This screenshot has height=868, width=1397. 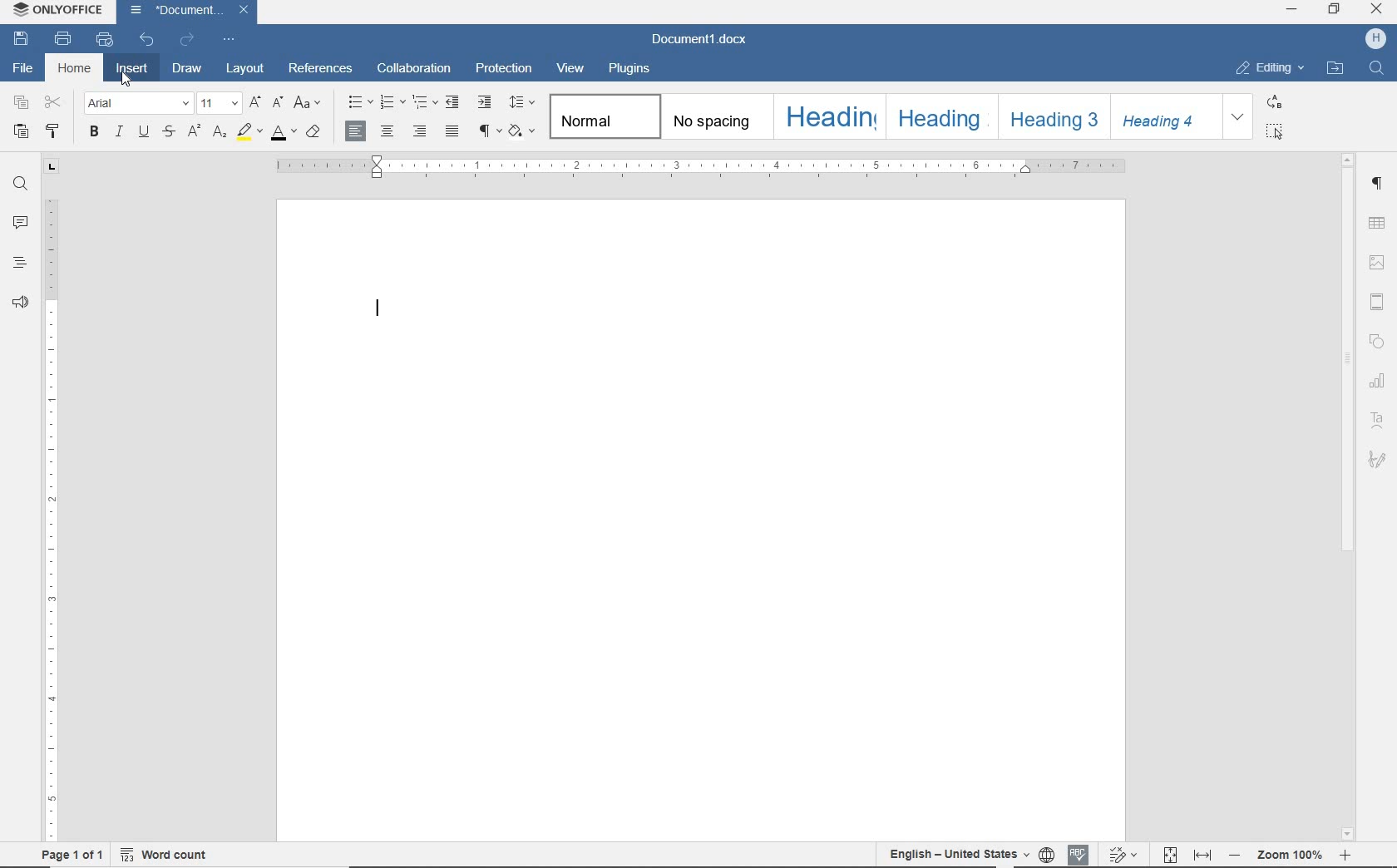 What do you see at coordinates (523, 130) in the screenshot?
I see `shading` at bounding box center [523, 130].